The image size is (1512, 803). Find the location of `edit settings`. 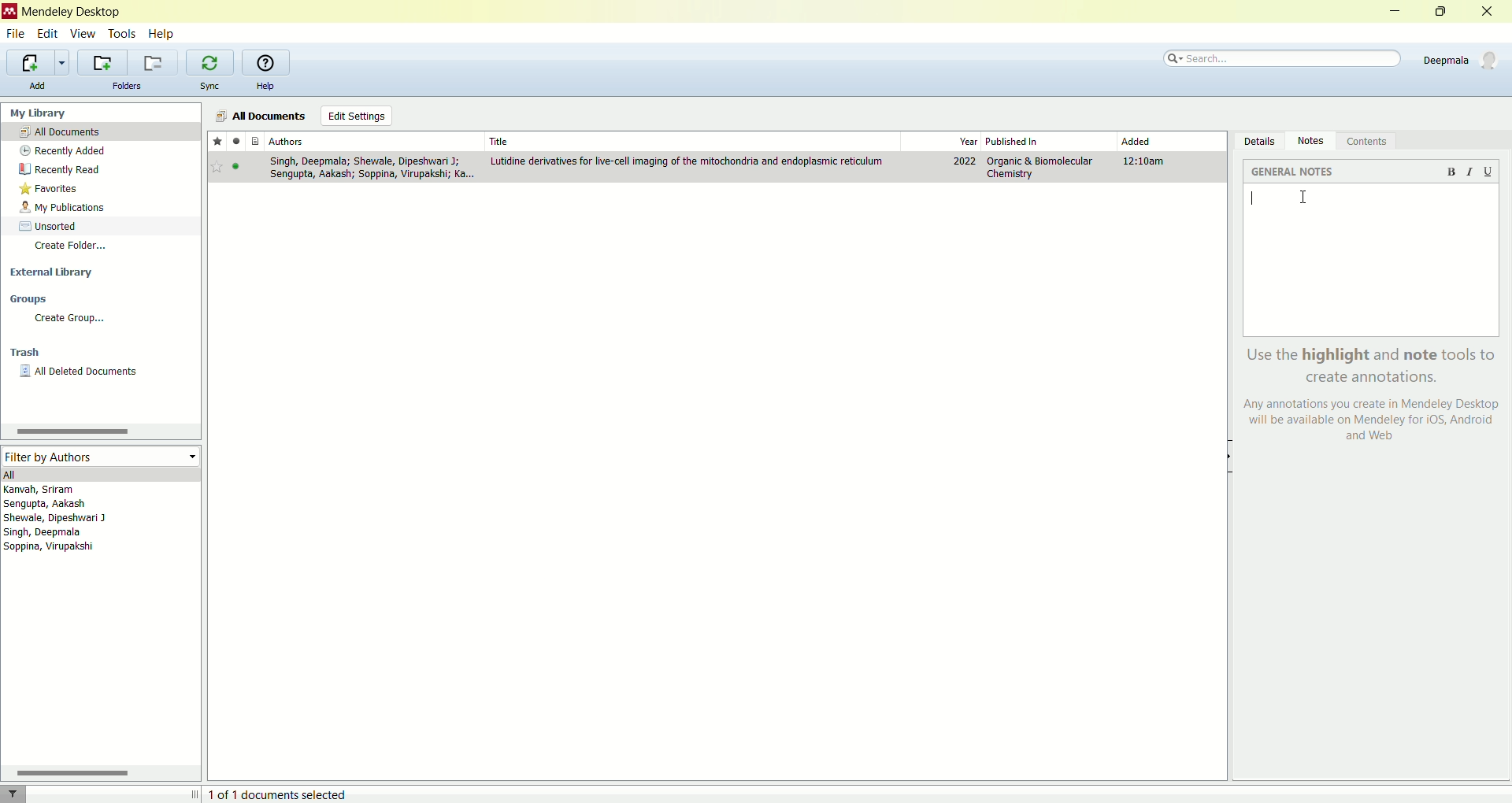

edit settings is located at coordinates (355, 116).